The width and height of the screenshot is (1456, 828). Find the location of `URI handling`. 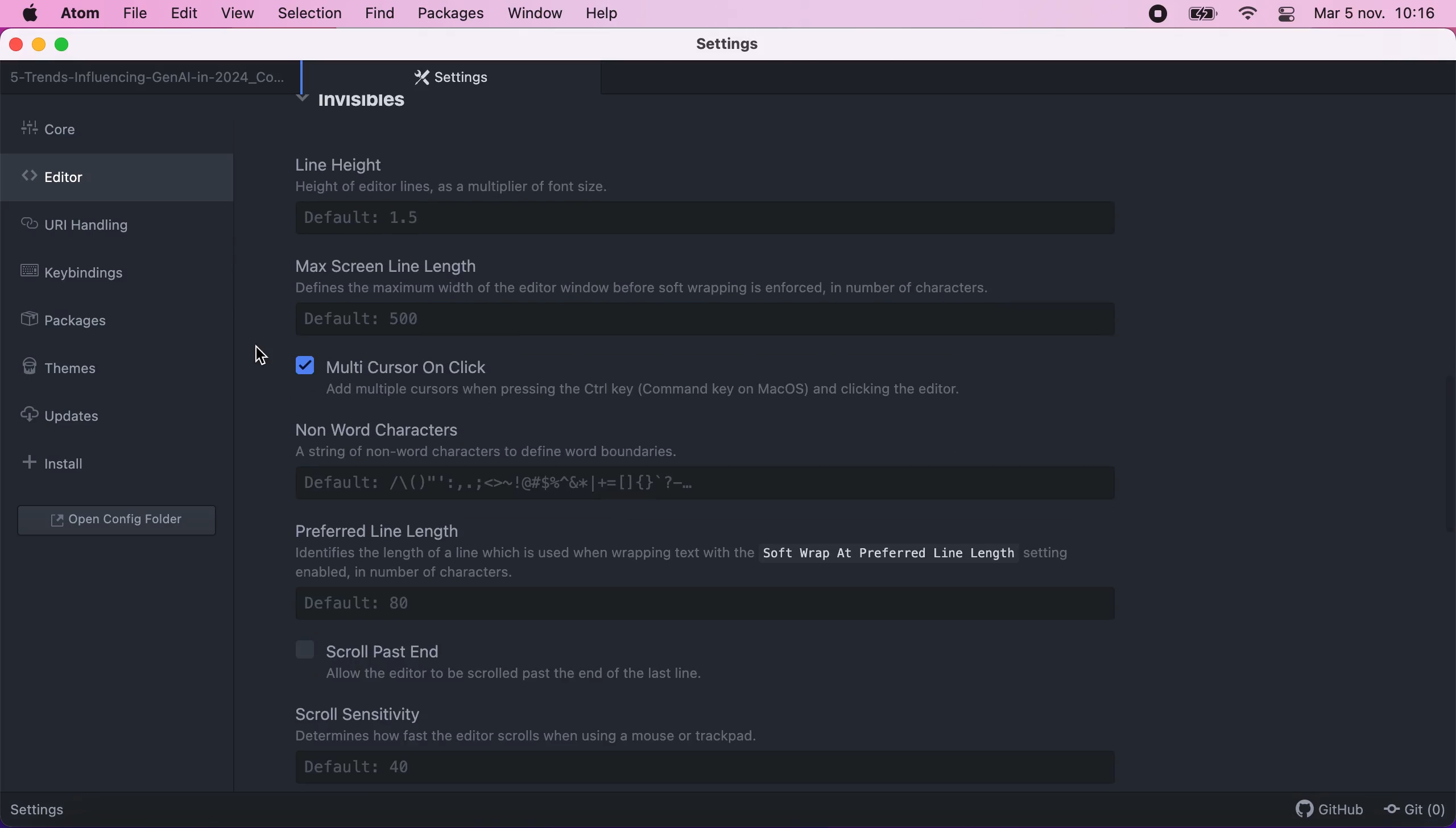

URI handling is located at coordinates (96, 228).